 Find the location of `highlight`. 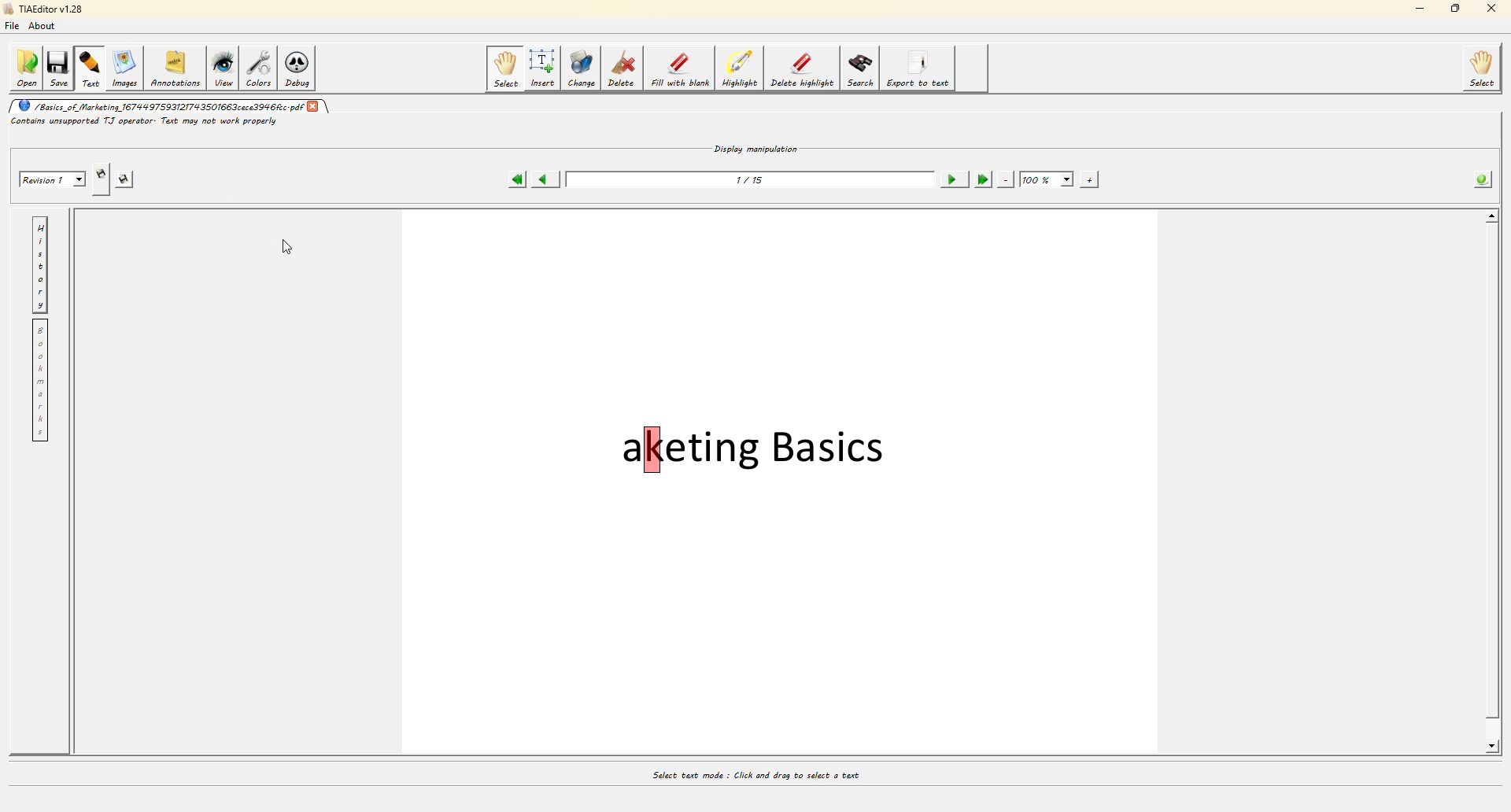

highlight is located at coordinates (740, 69).